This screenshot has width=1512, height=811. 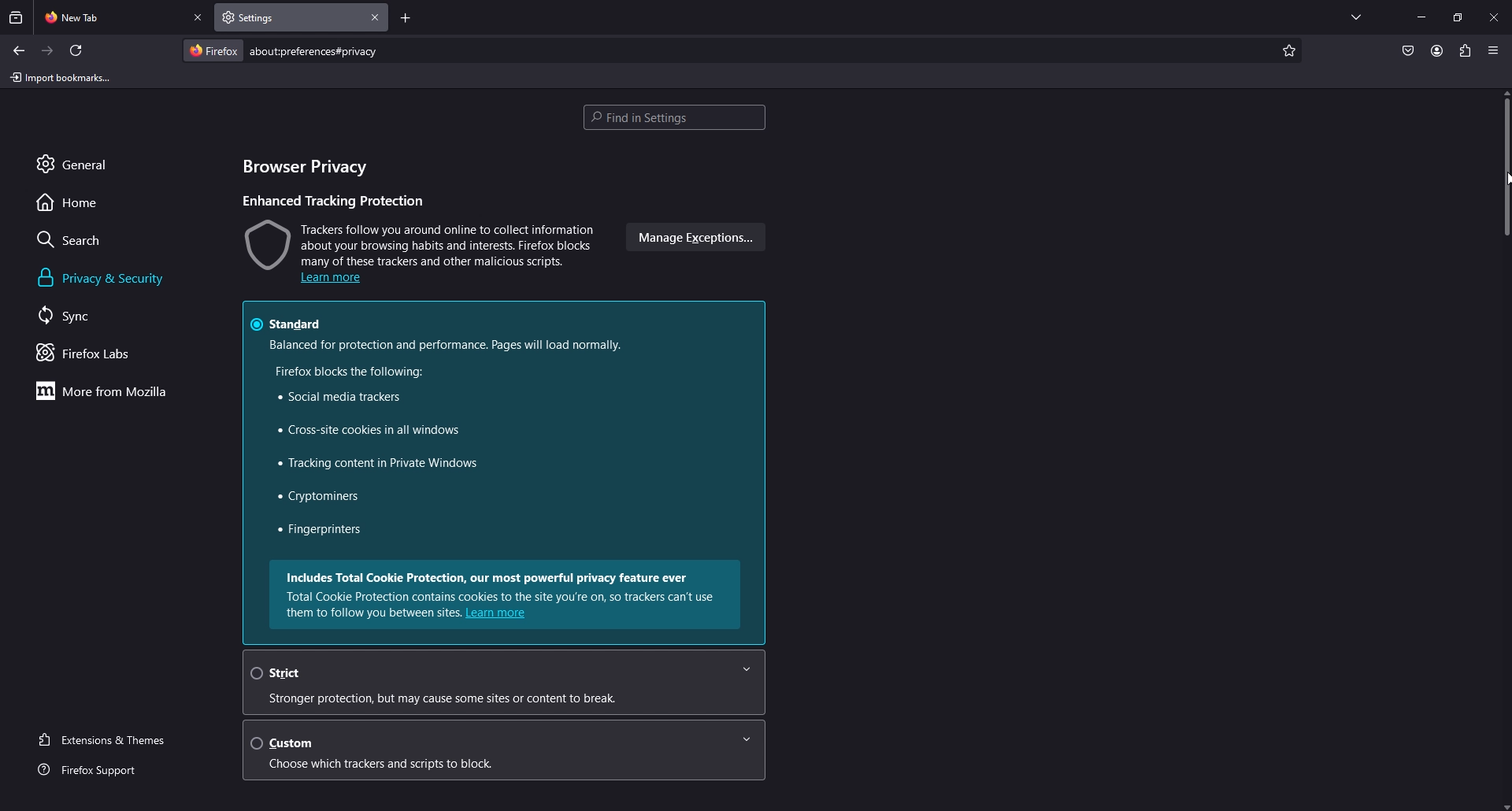 What do you see at coordinates (321, 531) in the screenshot?
I see `« Fingerprinters` at bounding box center [321, 531].